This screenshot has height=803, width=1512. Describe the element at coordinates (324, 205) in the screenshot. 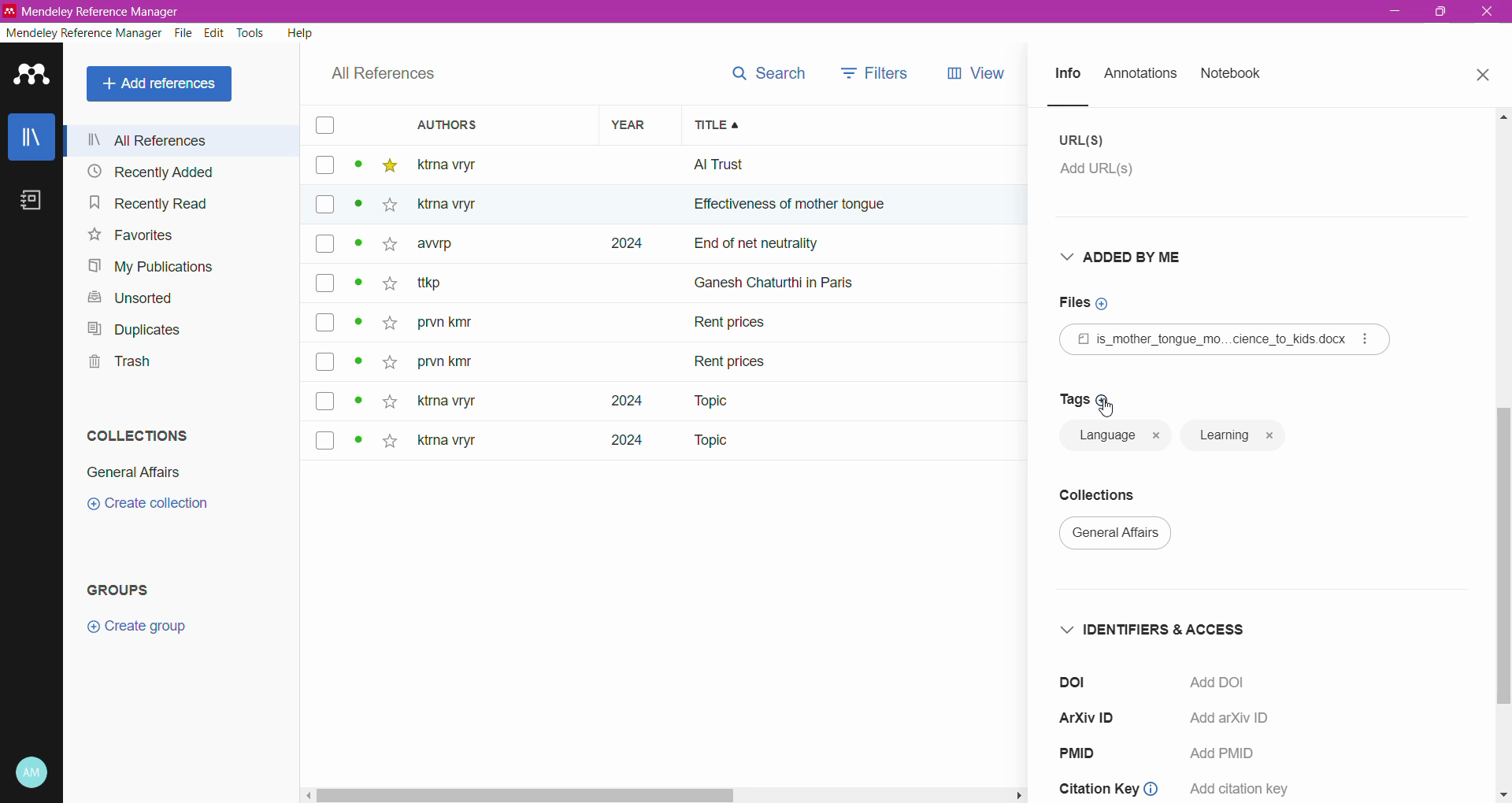

I see `box` at that location.